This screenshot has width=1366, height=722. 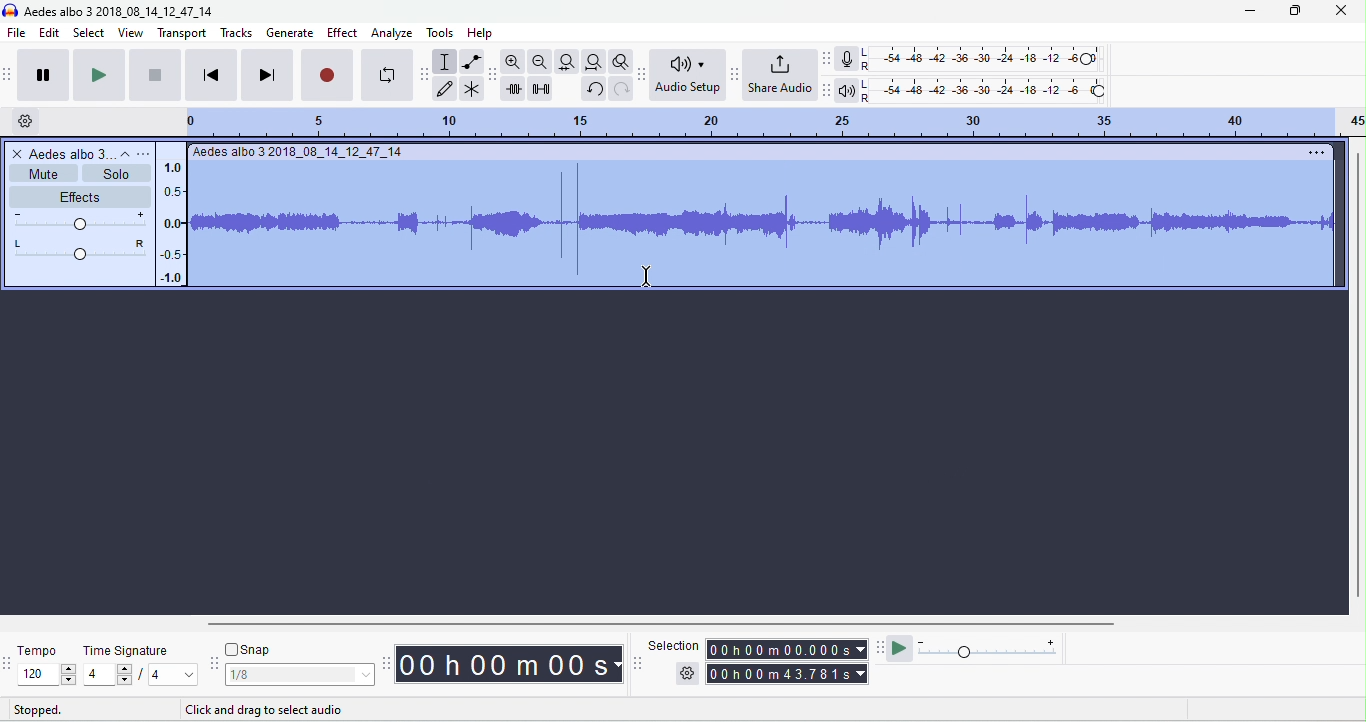 What do you see at coordinates (472, 62) in the screenshot?
I see `envelop tool` at bounding box center [472, 62].